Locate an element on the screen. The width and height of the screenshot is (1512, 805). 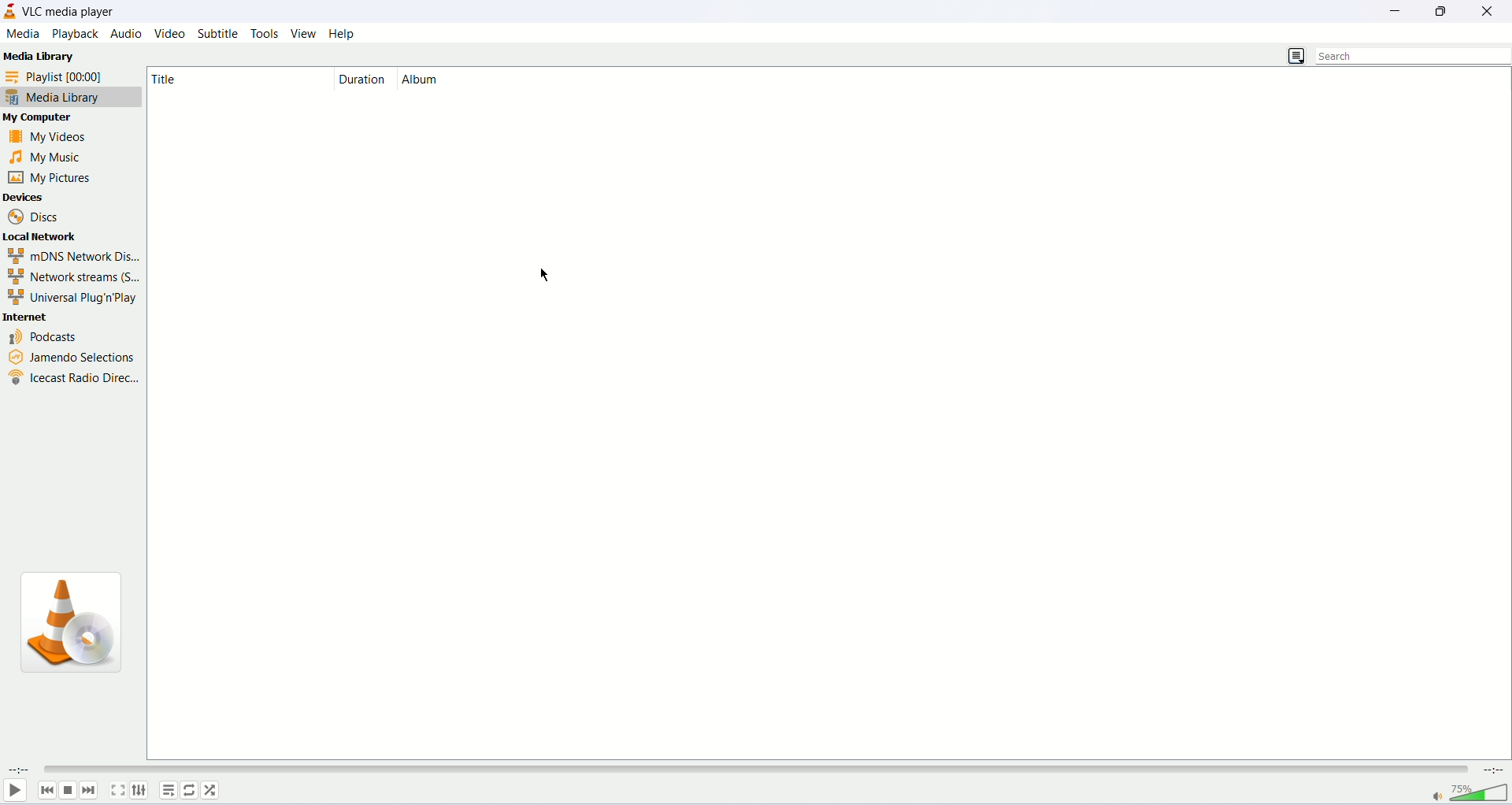
Media Library is located at coordinates (39, 54).